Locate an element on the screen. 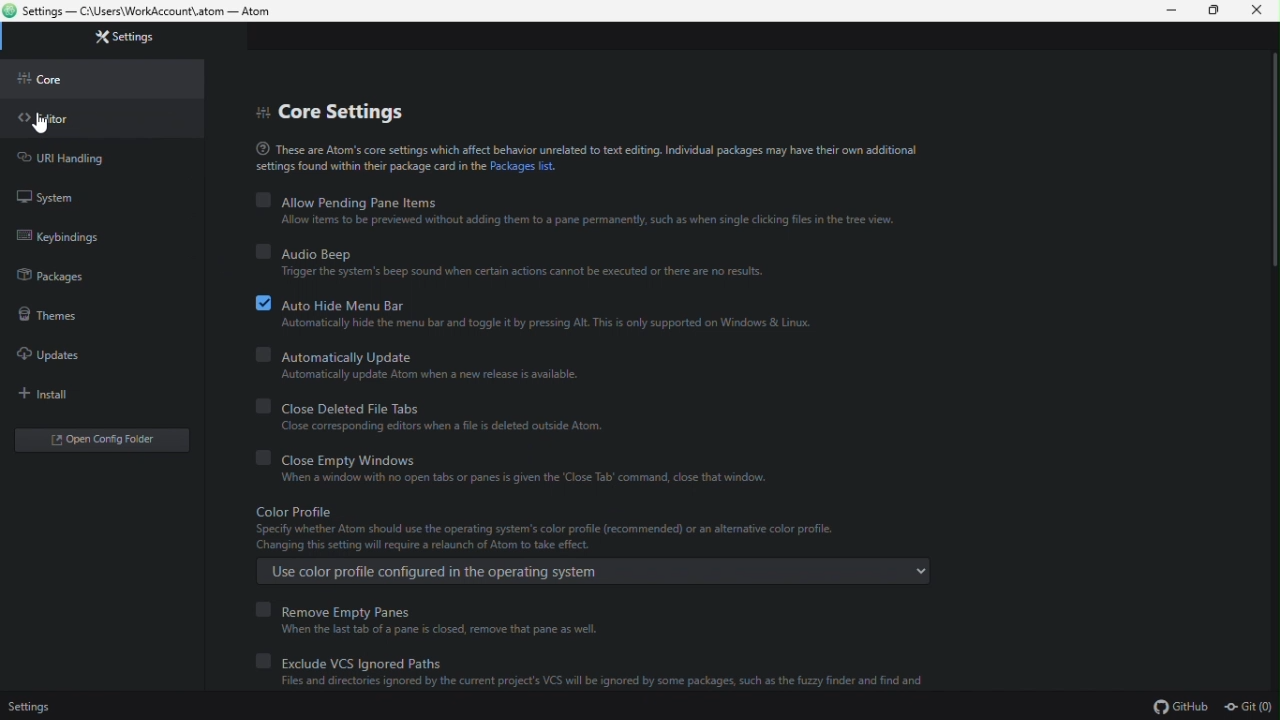  github is located at coordinates (1181, 706).